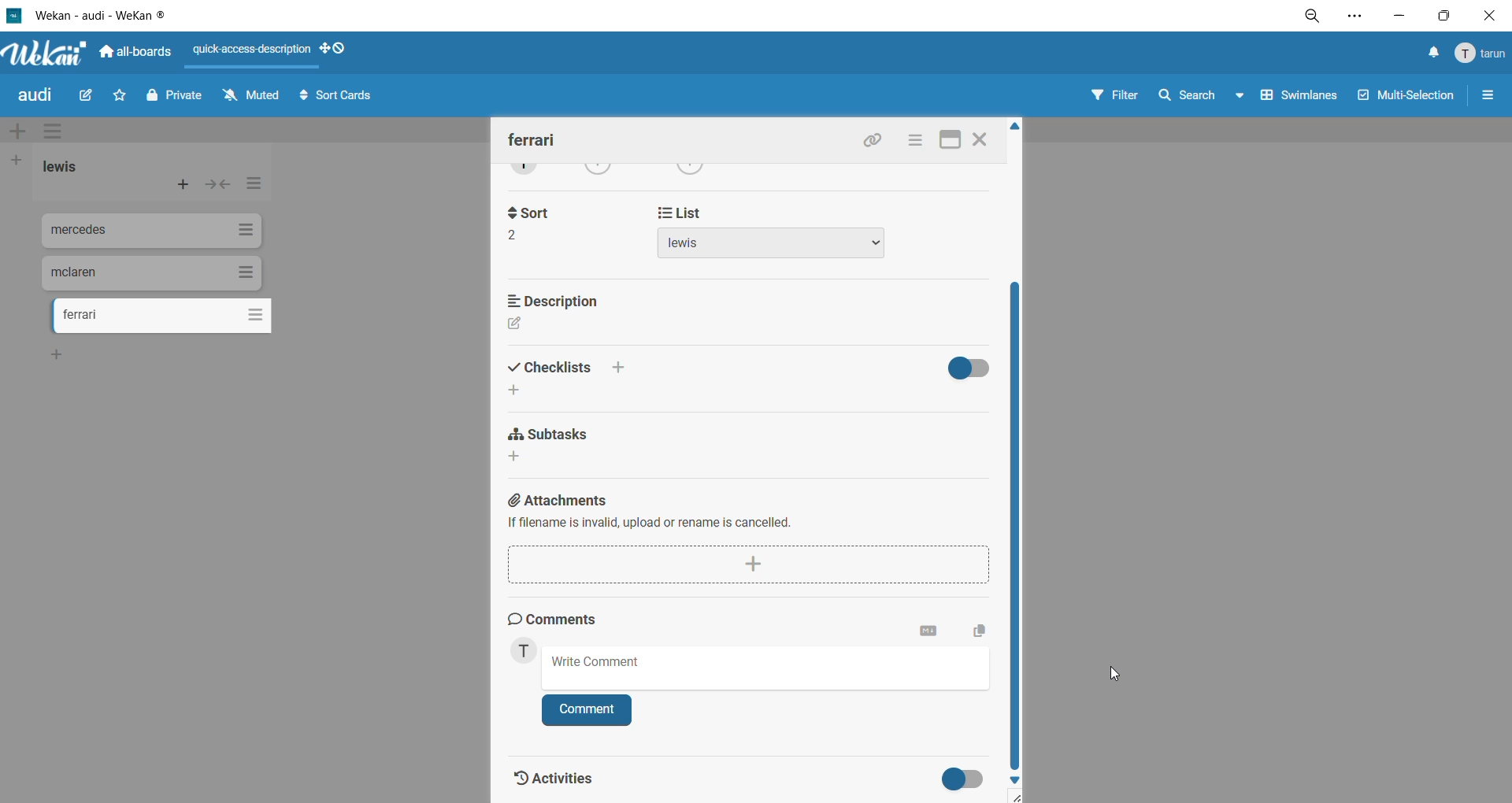 The height and width of the screenshot is (803, 1512). Describe the element at coordinates (924, 633) in the screenshot. I see `markdown` at that location.